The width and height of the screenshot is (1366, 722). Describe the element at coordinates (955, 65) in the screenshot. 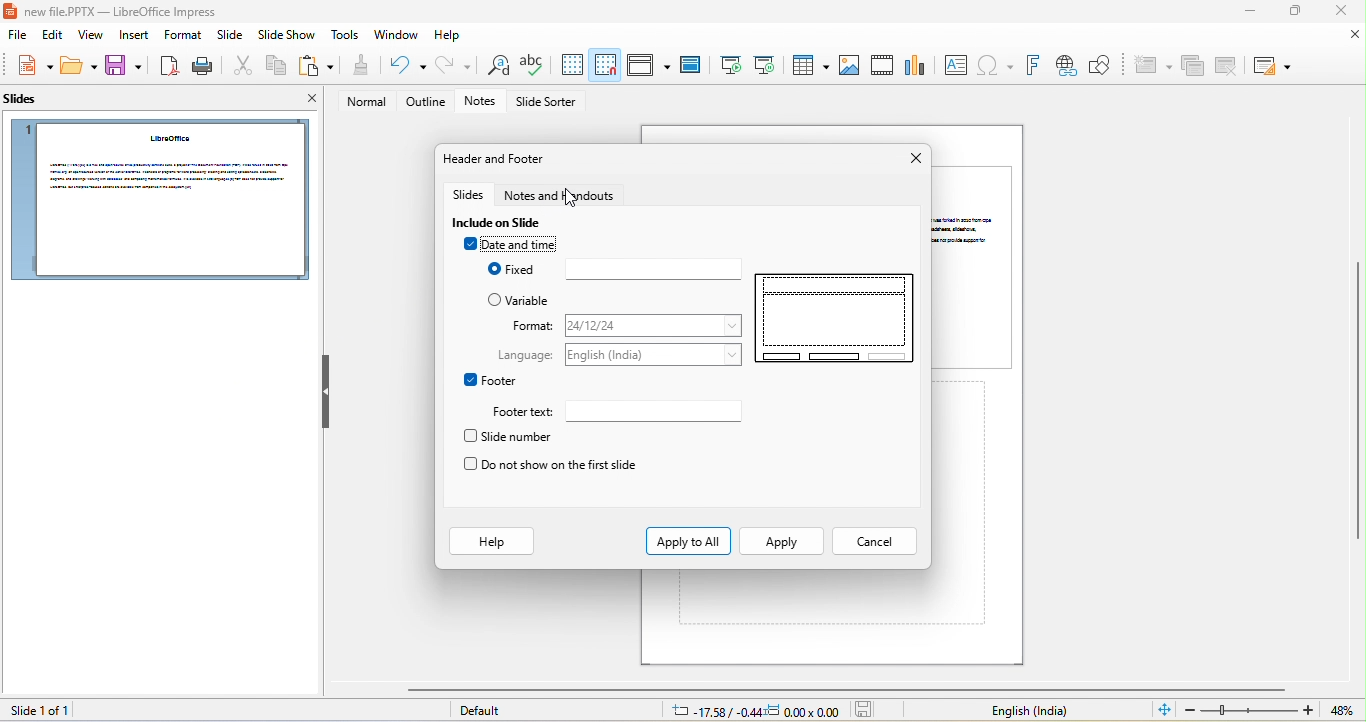

I see `text box` at that location.